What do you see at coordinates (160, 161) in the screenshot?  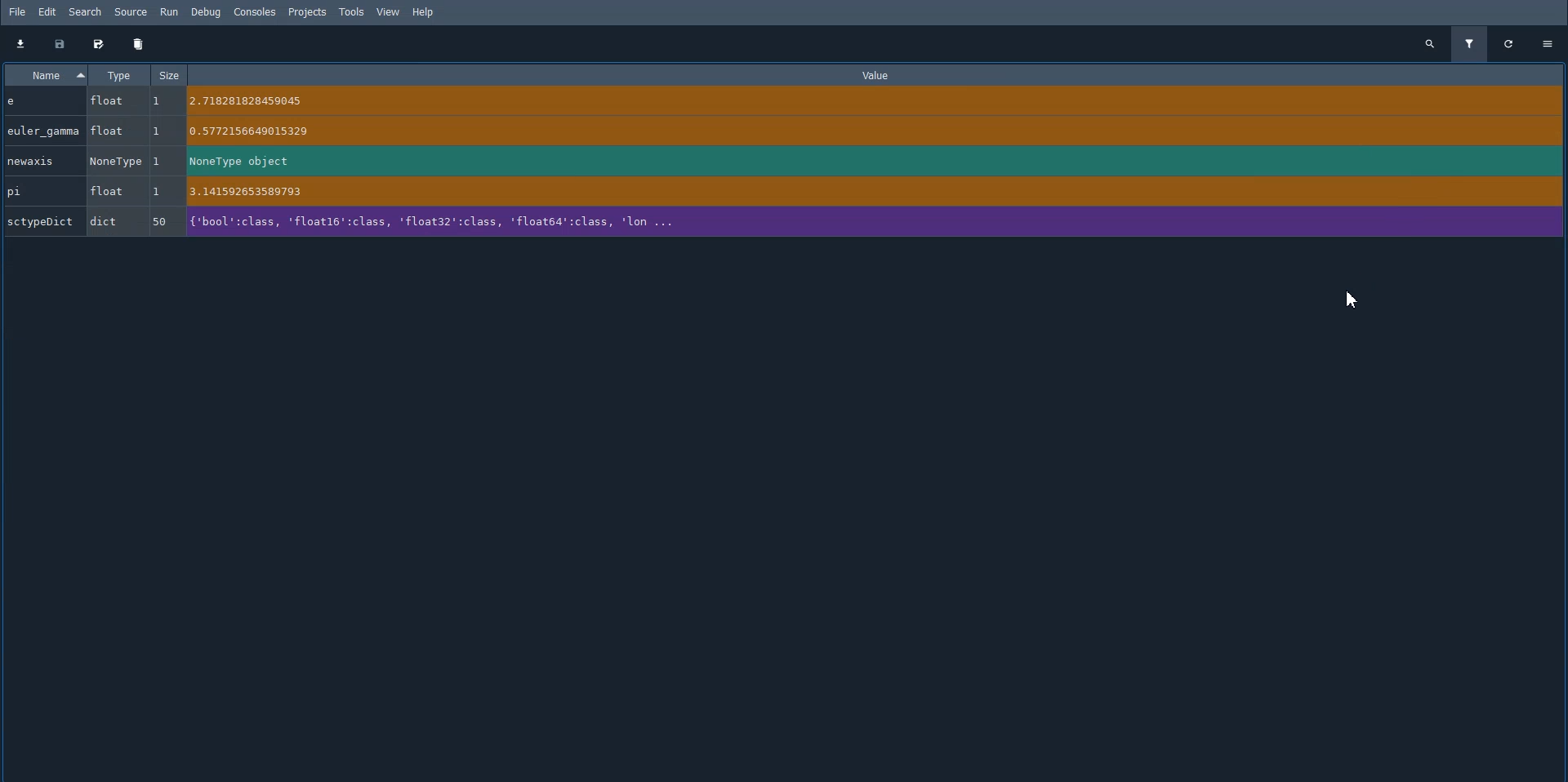 I see `1` at bounding box center [160, 161].